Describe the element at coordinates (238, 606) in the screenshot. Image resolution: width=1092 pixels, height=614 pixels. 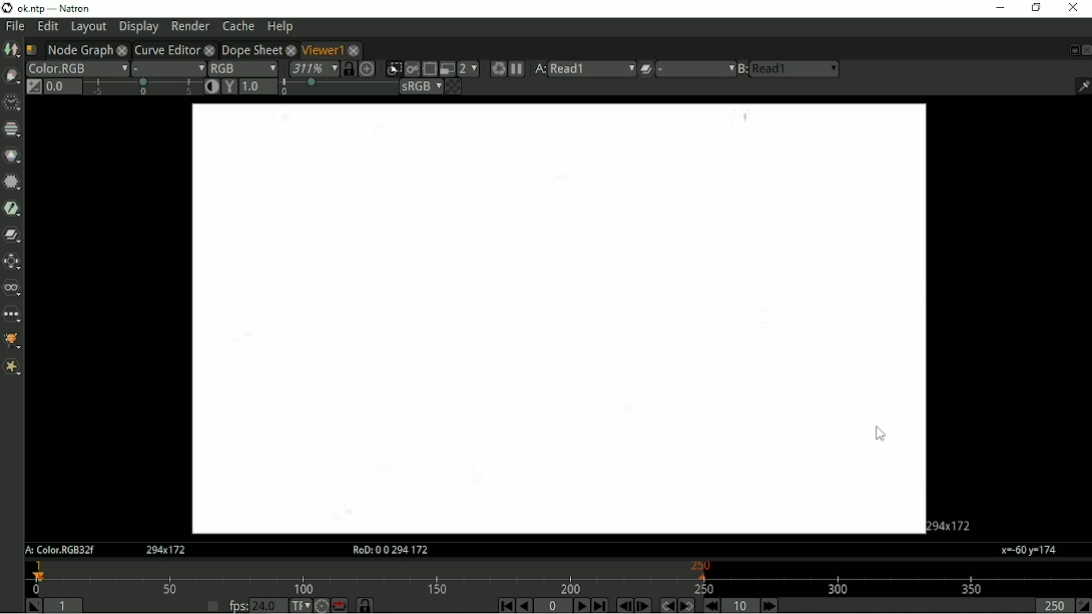
I see `fps` at that location.